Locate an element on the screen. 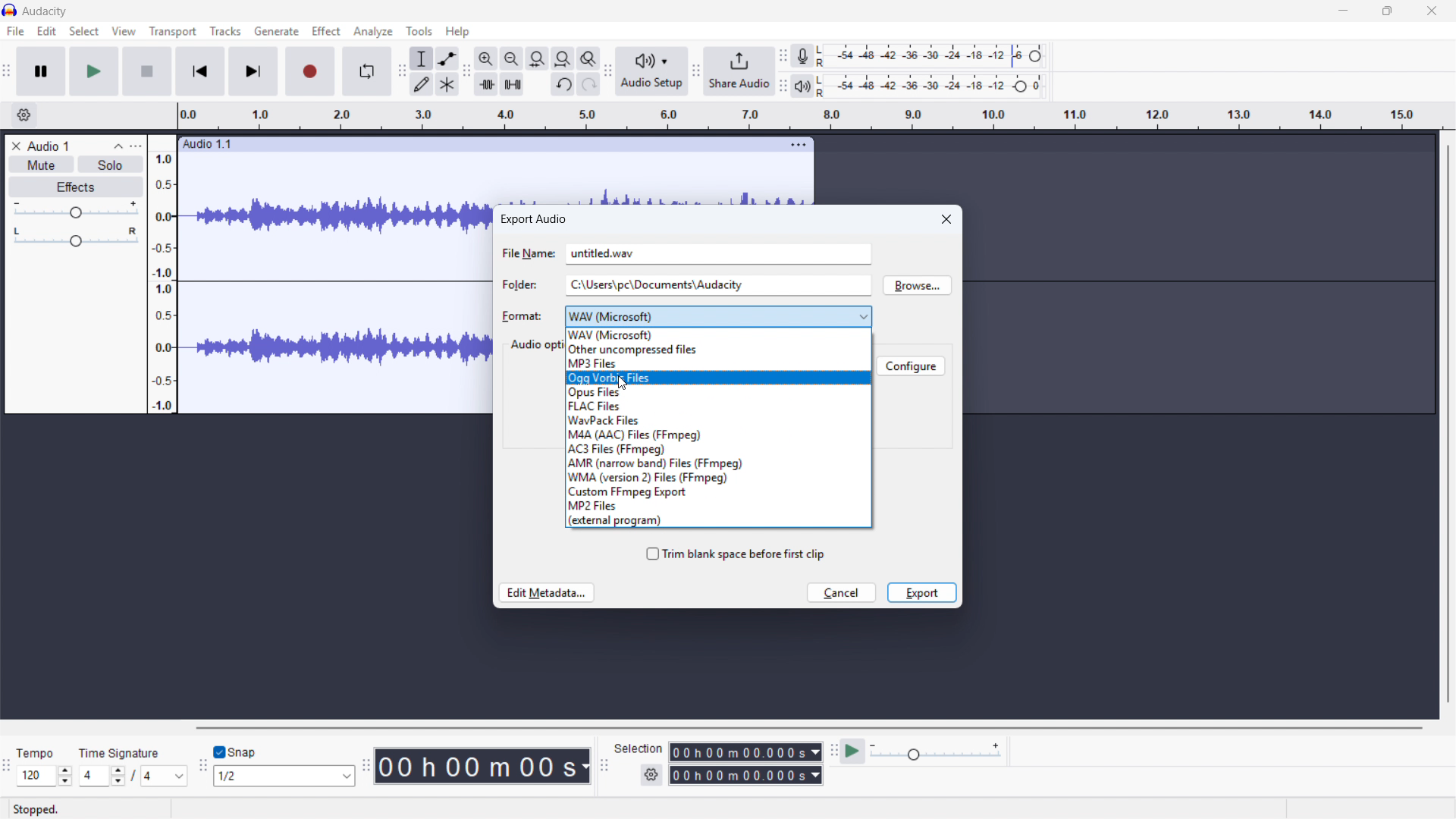  Track control panel menu  is located at coordinates (136, 146).